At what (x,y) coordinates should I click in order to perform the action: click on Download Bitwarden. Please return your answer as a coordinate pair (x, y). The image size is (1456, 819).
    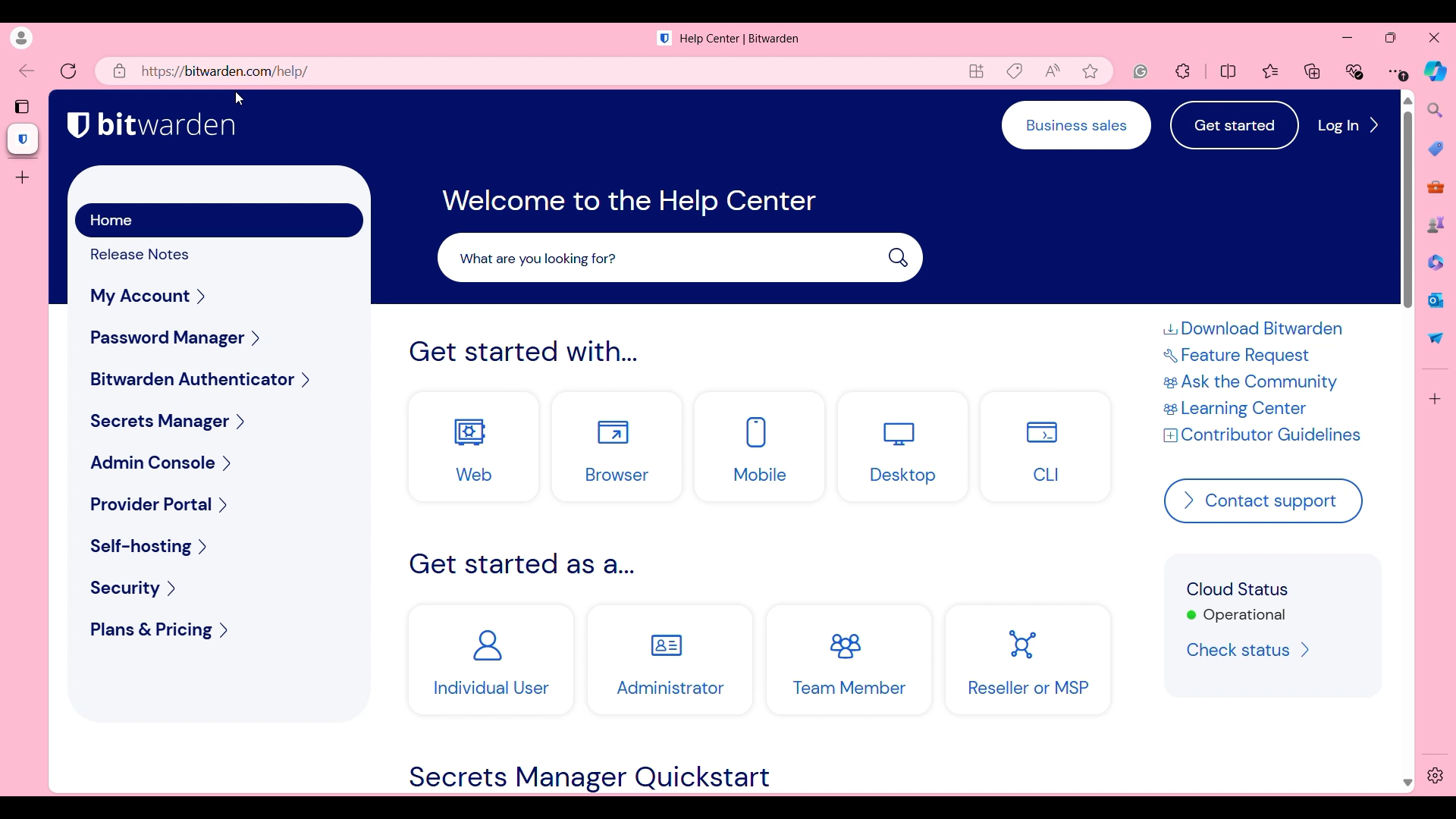
    Looking at the image, I should click on (1254, 328).